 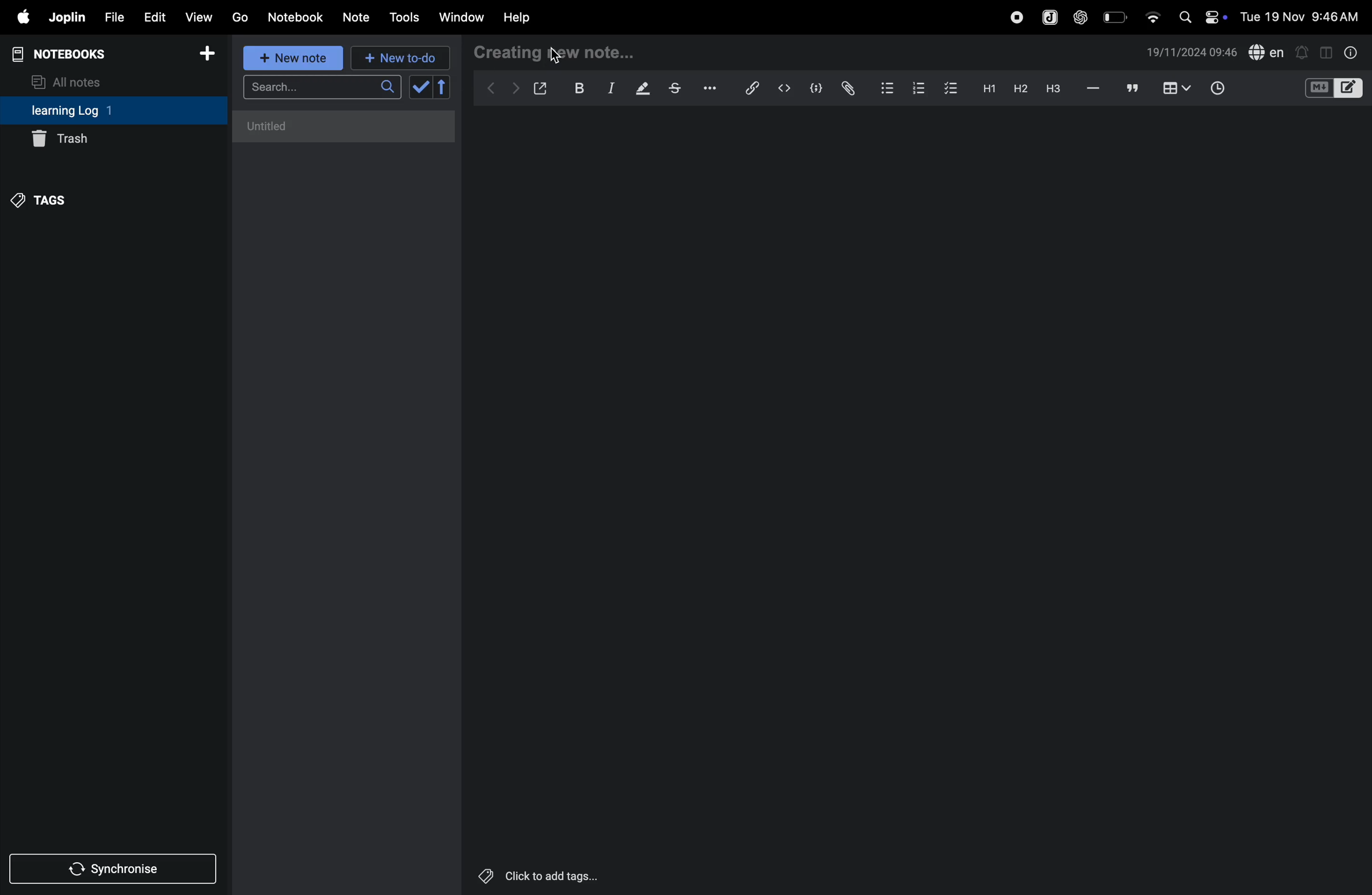 I want to click on strike through, so click(x=675, y=88).